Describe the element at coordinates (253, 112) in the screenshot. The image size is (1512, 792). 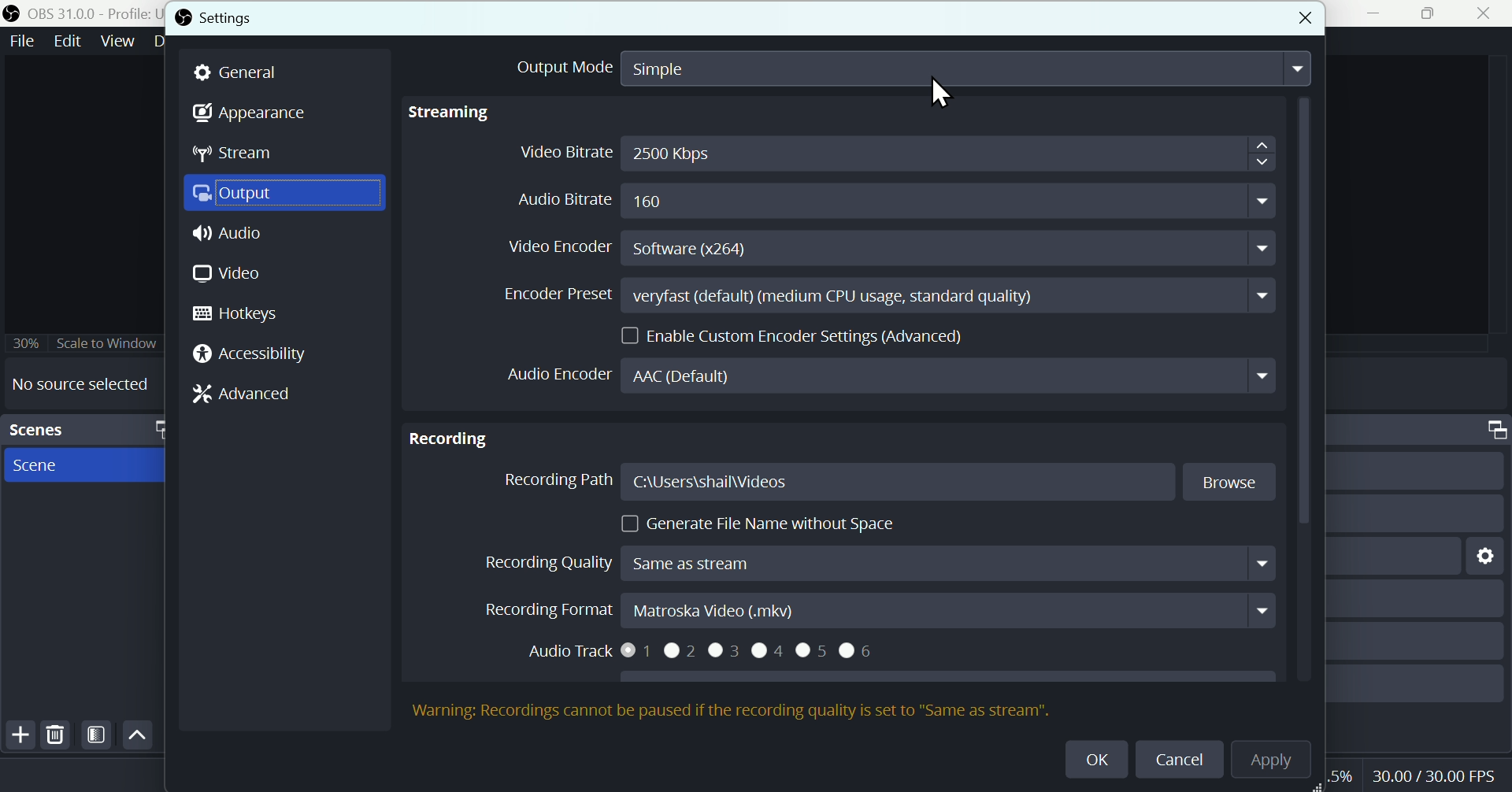
I see `Appearance` at that location.